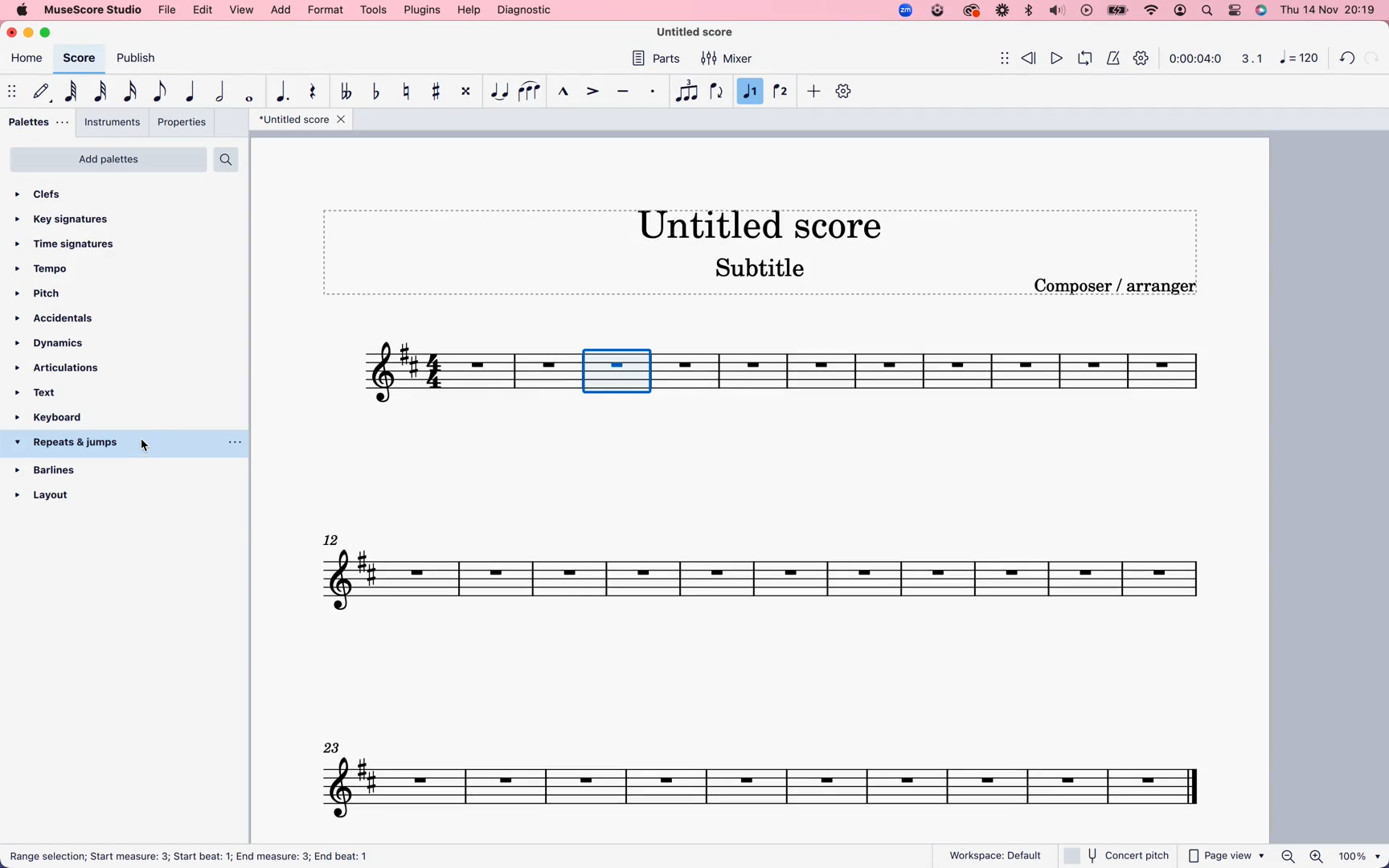 Image resolution: width=1389 pixels, height=868 pixels. What do you see at coordinates (133, 91) in the screenshot?
I see `16th note` at bounding box center [133, 91].